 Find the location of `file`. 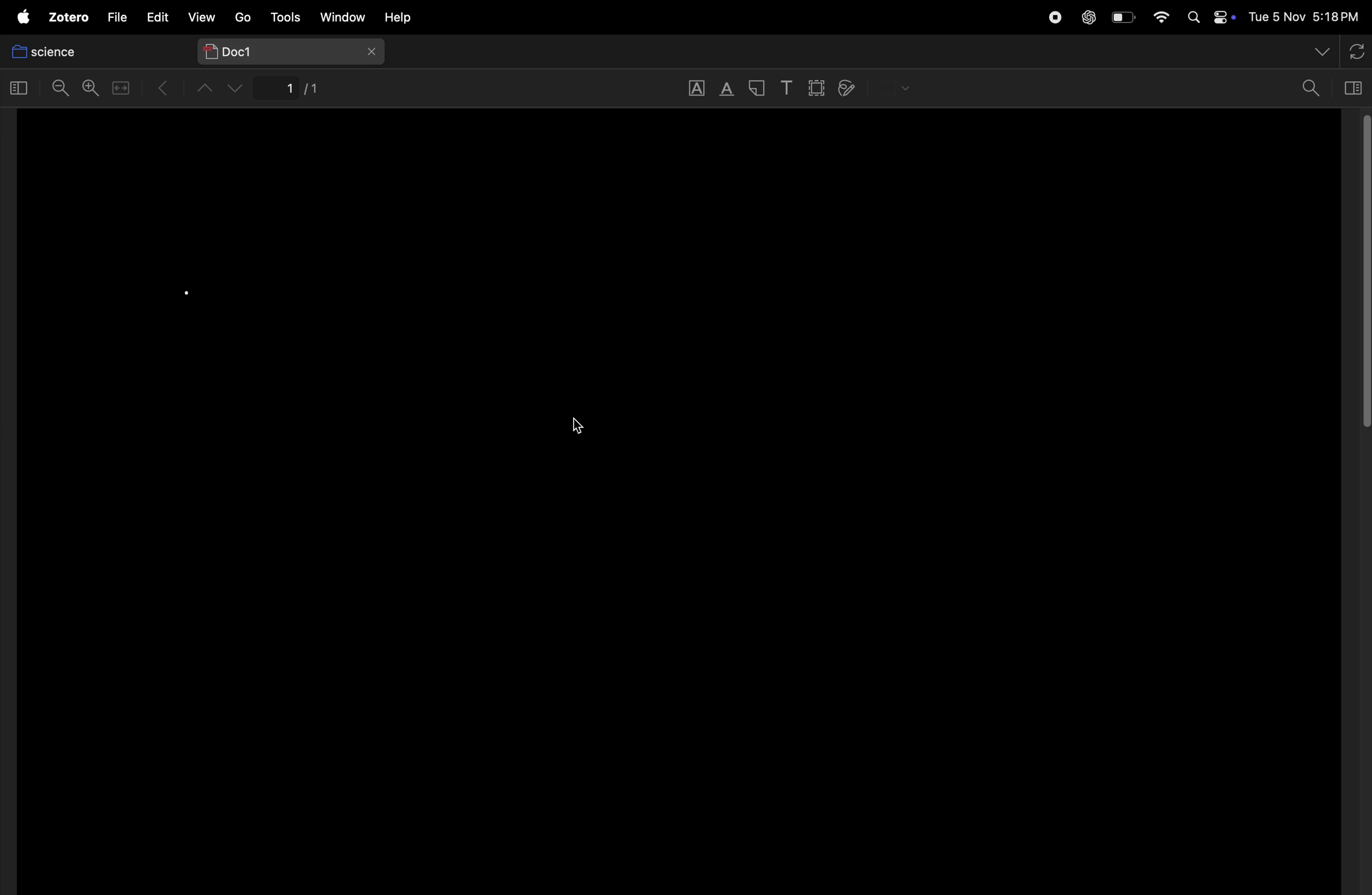

file is located at coordinates (117, 17).